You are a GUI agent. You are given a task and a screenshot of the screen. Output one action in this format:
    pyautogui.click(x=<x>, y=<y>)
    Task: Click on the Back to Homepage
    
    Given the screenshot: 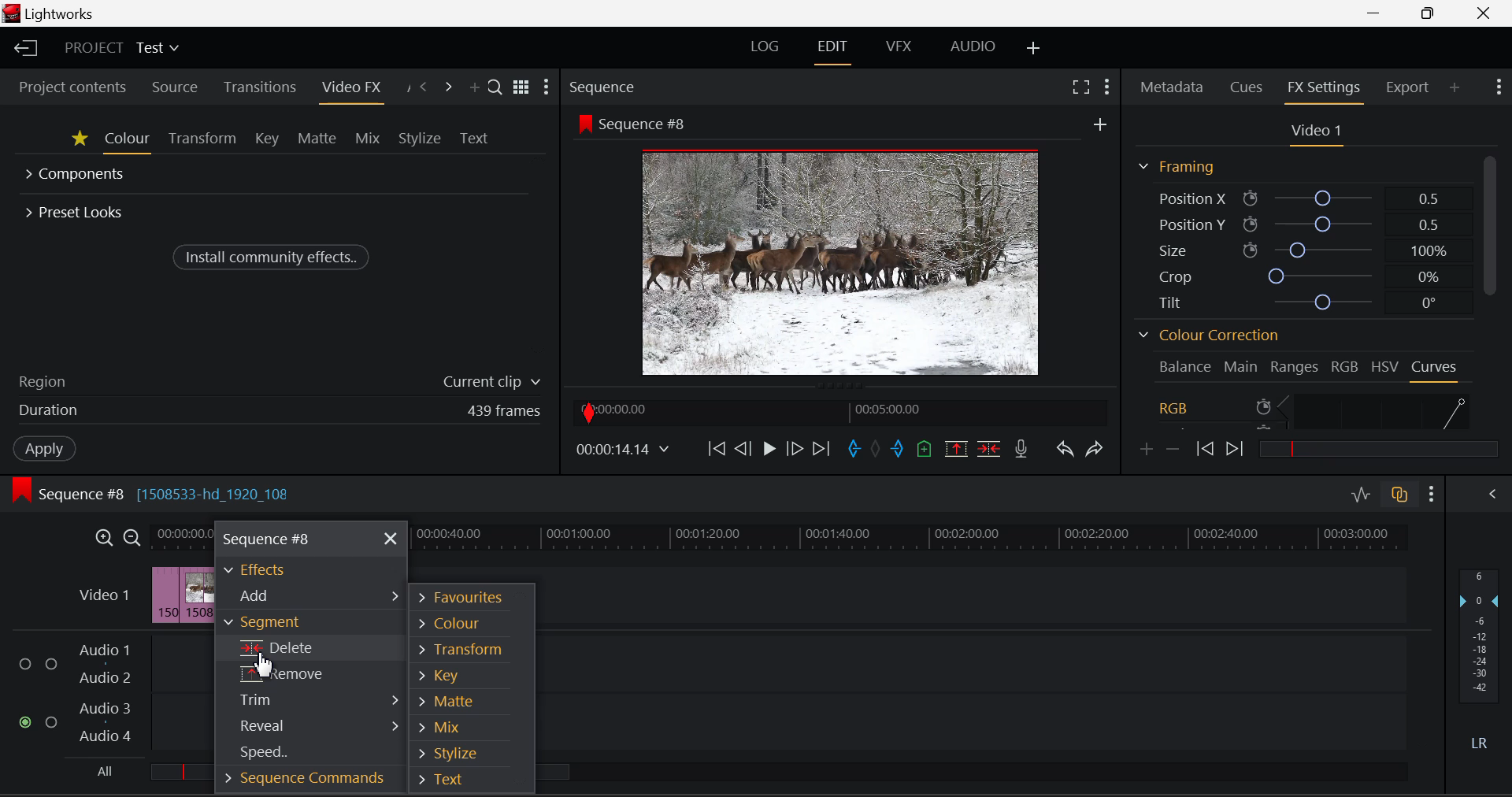 What is the action you would take?
    pyautogui.click(x=23, y=48)
    